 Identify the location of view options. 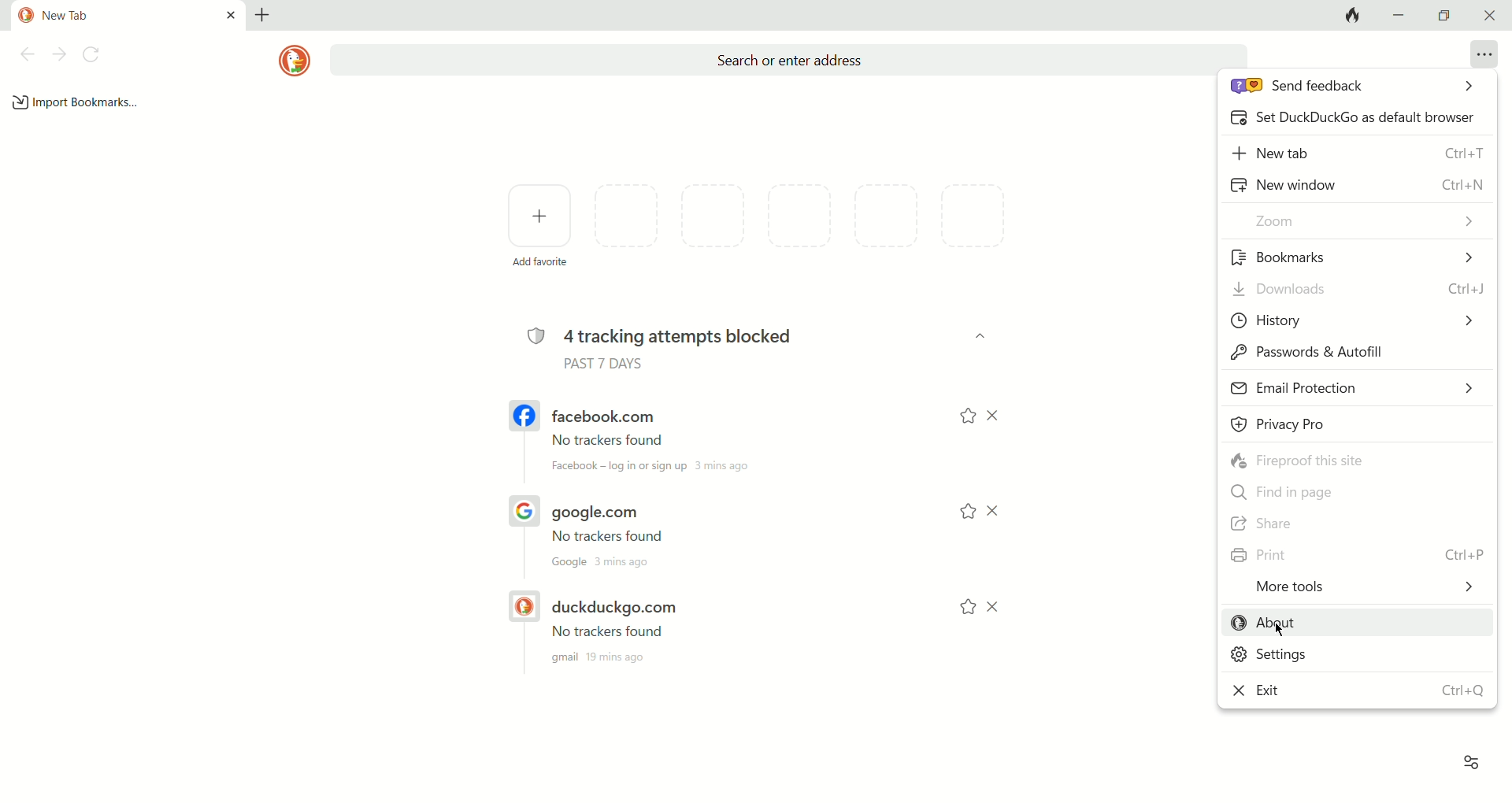
(1471, 759).